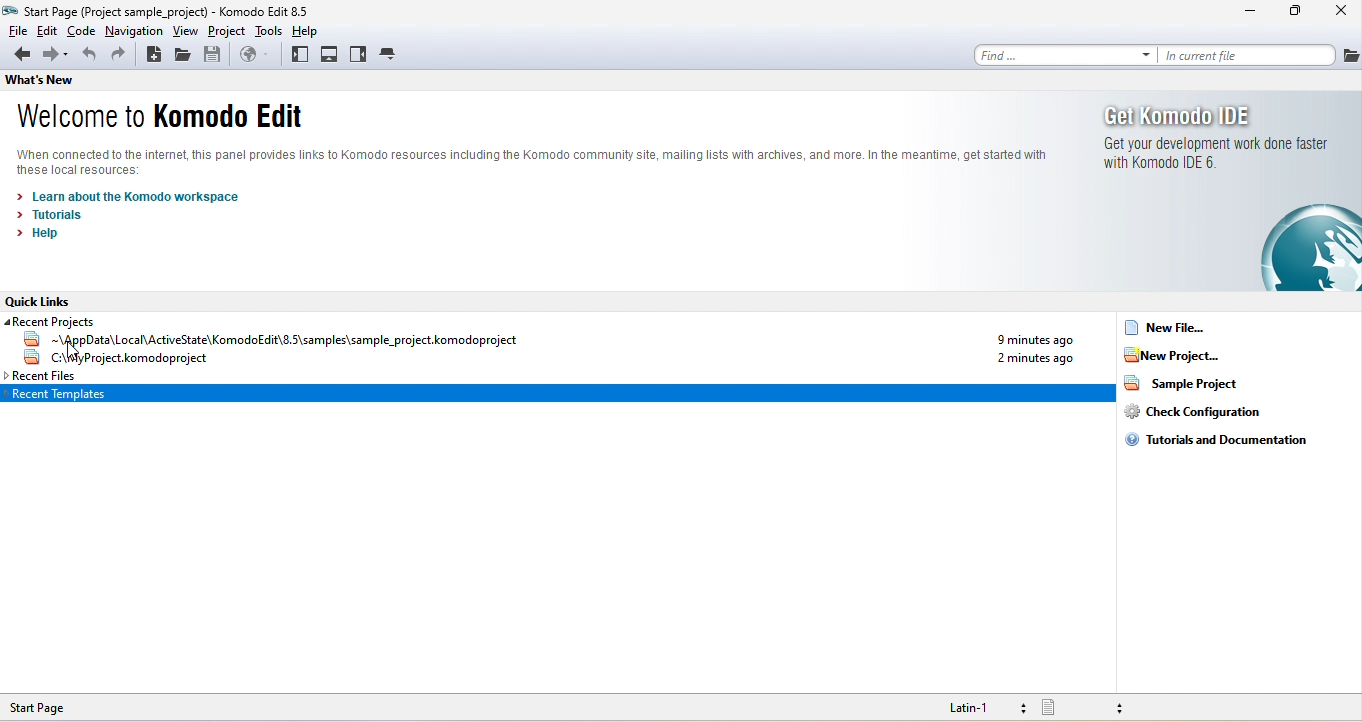 This screenshot has width=1362, height=722. I want to click on help, so click(35, 237).